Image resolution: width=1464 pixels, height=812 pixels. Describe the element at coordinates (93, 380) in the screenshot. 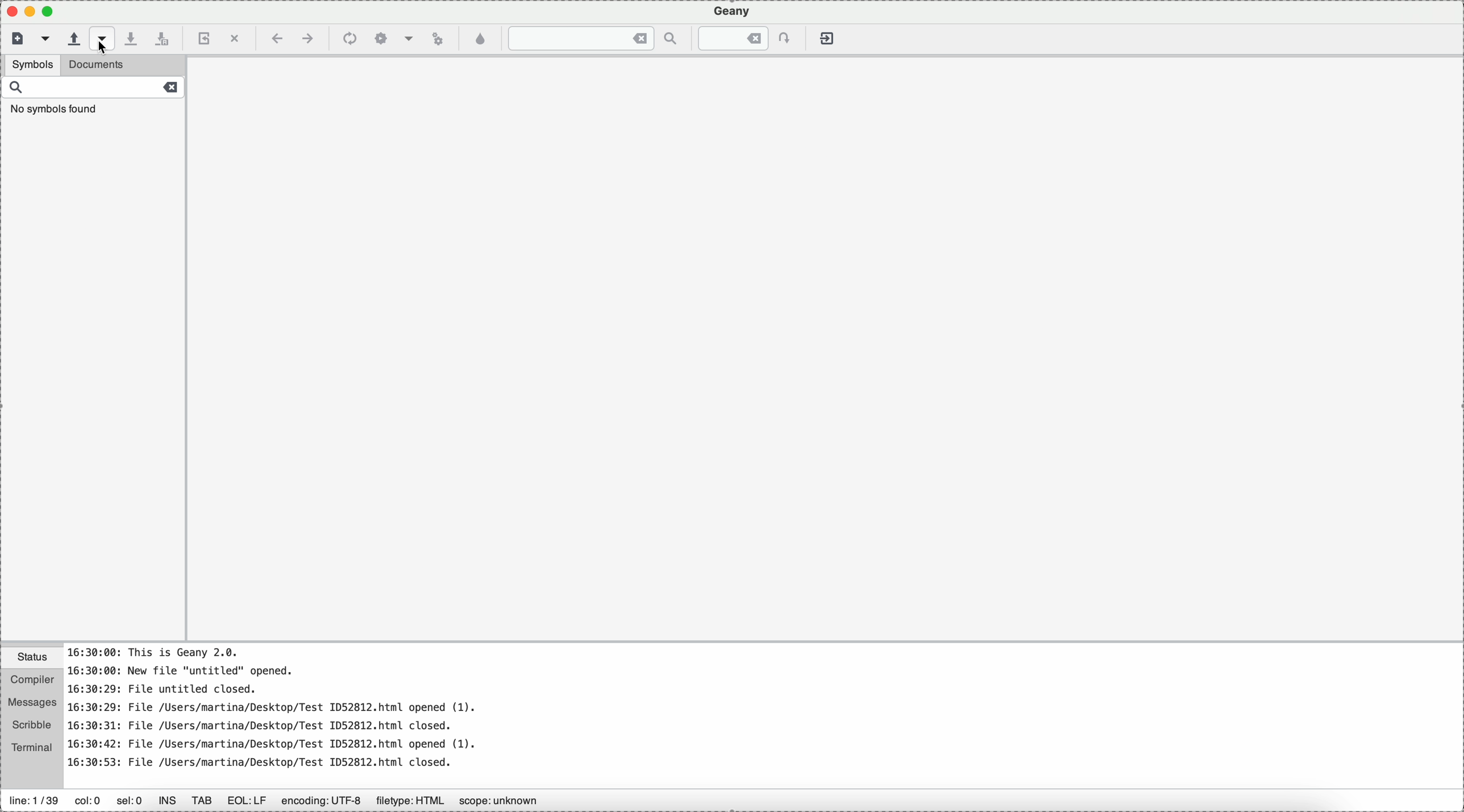

I see `sidebar` at that location.